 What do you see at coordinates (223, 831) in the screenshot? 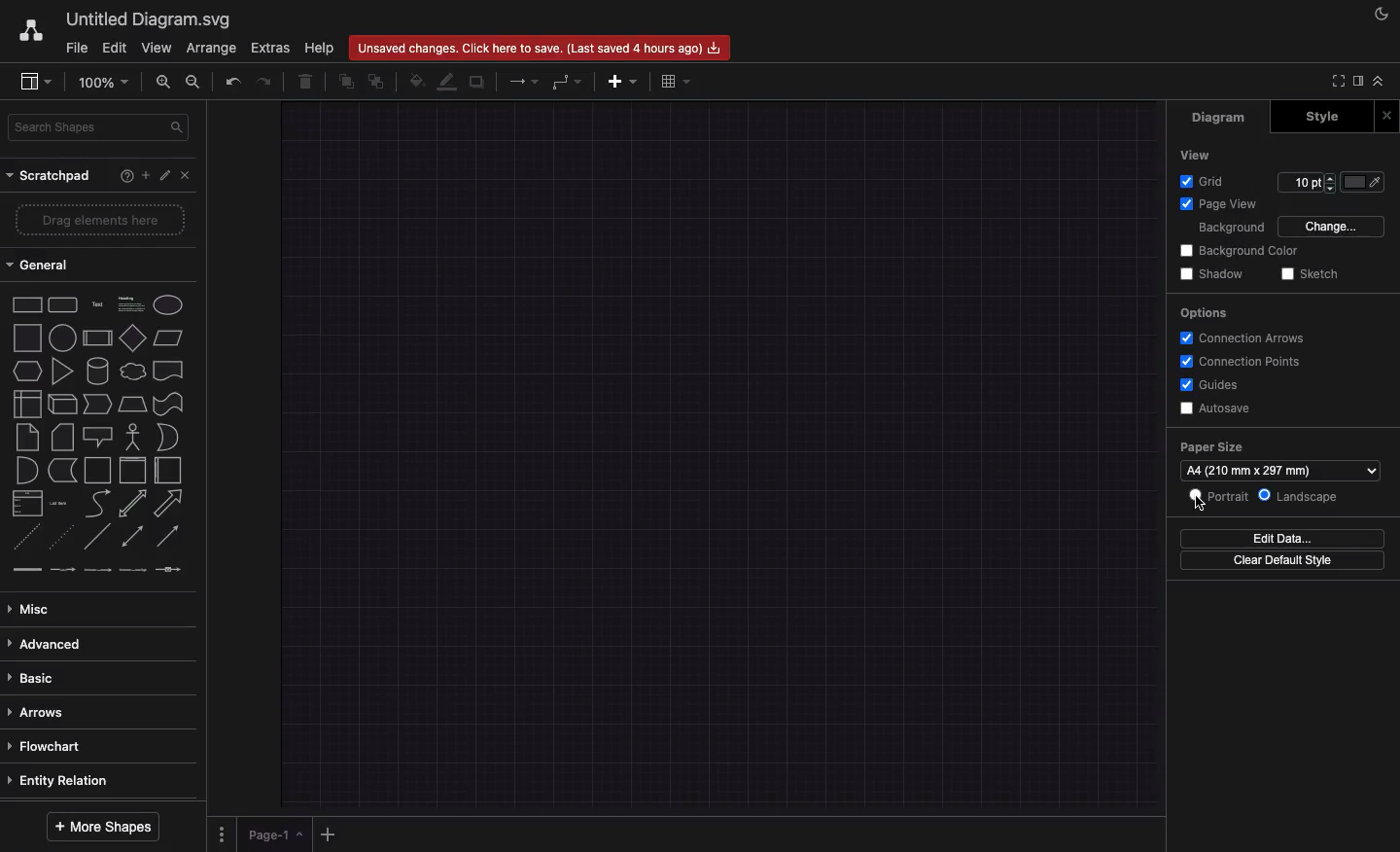
I see `Options` at bounding box center [223, 831].